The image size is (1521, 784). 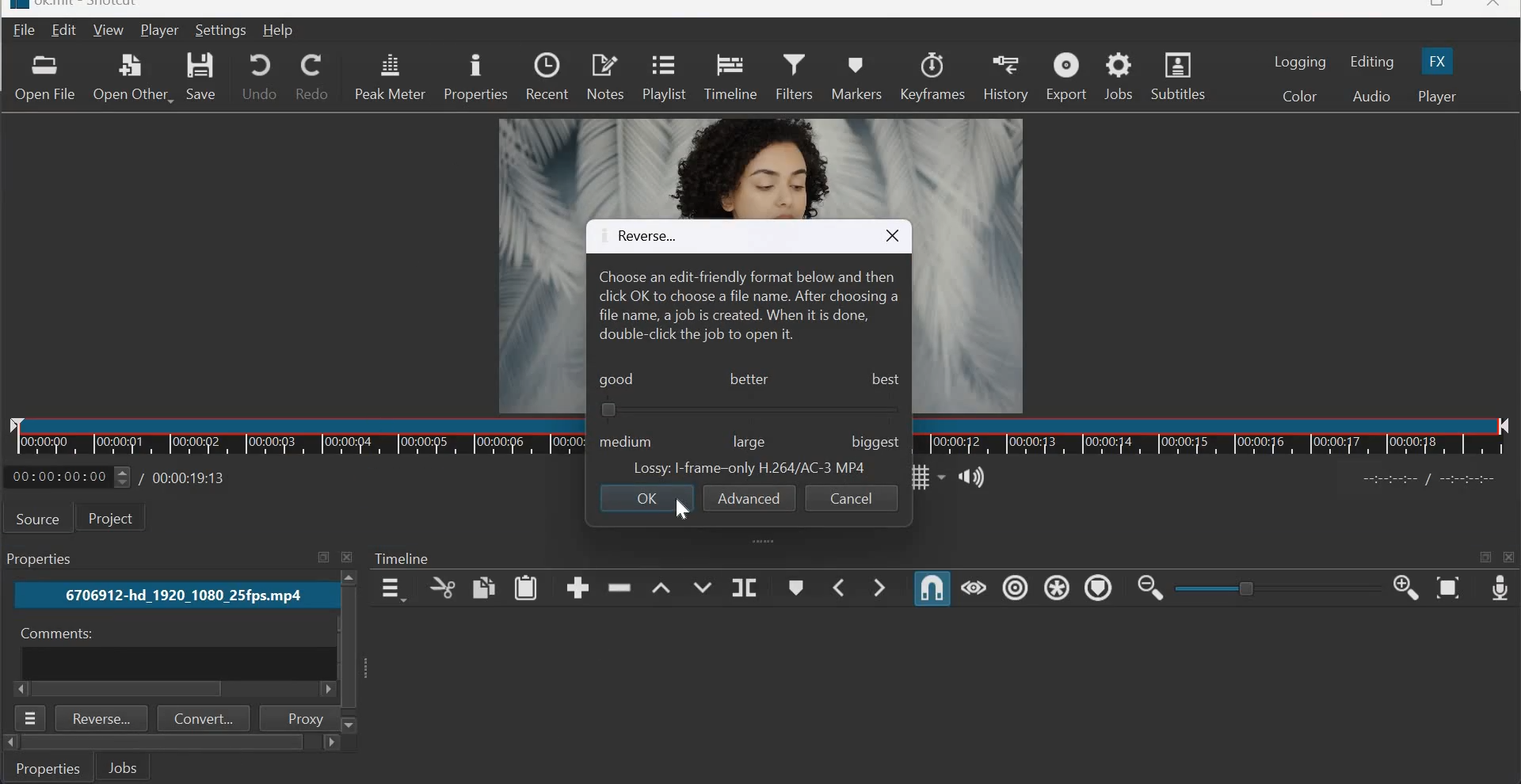 What do you see at coordinates (1177, 74) in the screenshot?
I see `Subtitles` at bounding box center [1177, 74].